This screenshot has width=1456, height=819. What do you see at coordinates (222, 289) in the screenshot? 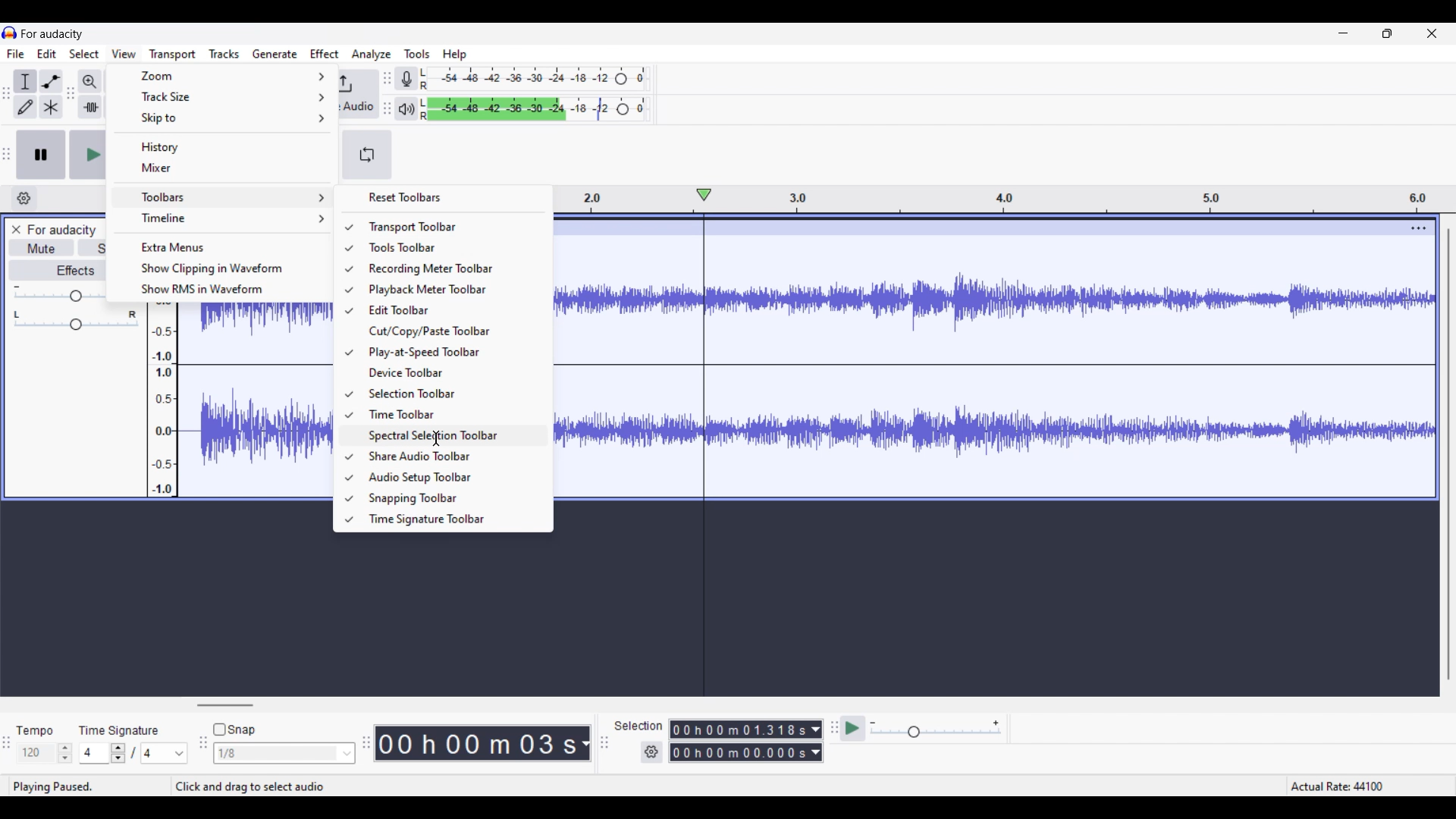
I see `Show RMS in waveform` at bounding box center [222, 289].